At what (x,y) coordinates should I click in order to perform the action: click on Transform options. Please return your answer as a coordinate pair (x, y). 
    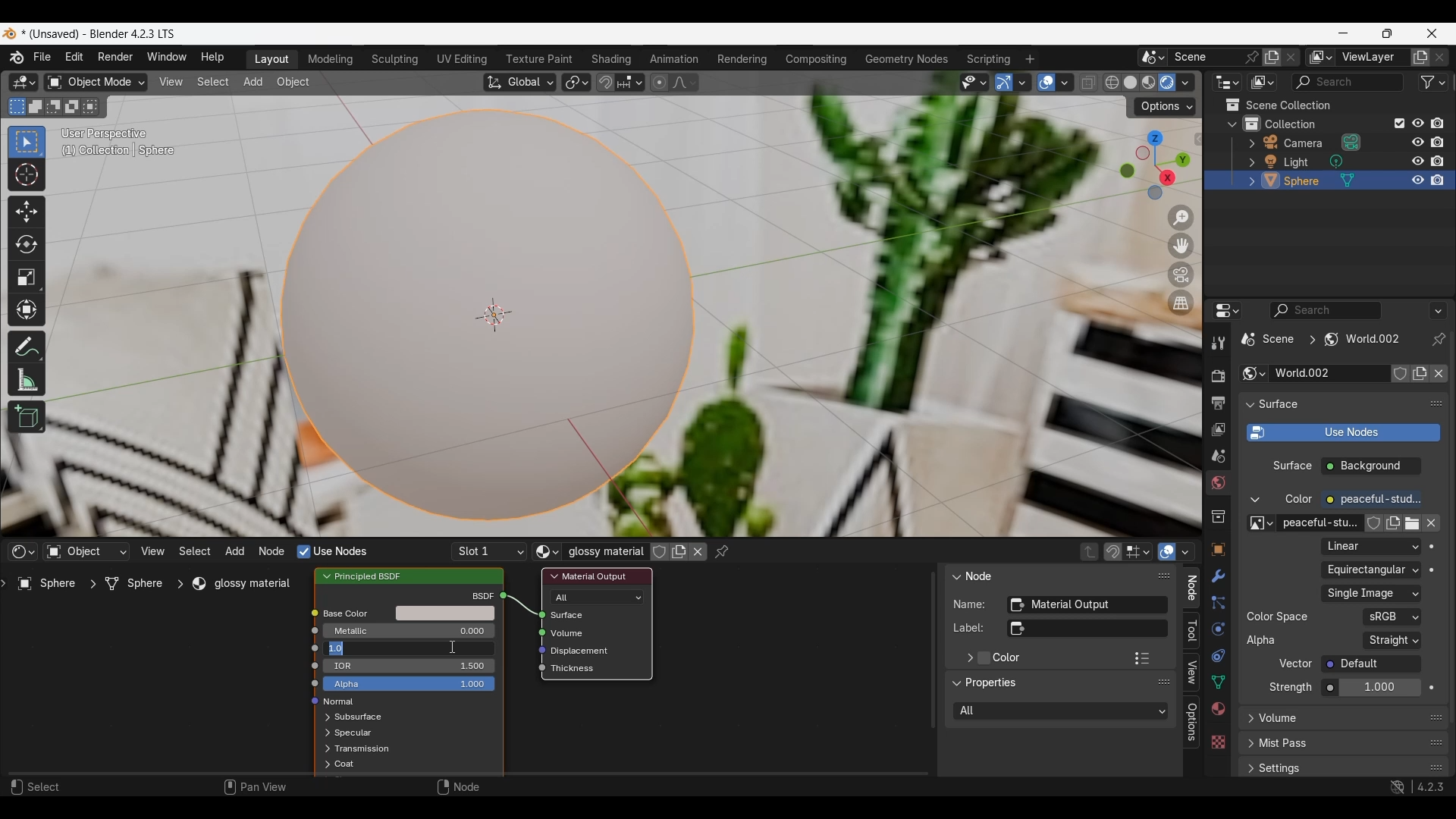
    Looking at the image, I should click on (1165, 107).